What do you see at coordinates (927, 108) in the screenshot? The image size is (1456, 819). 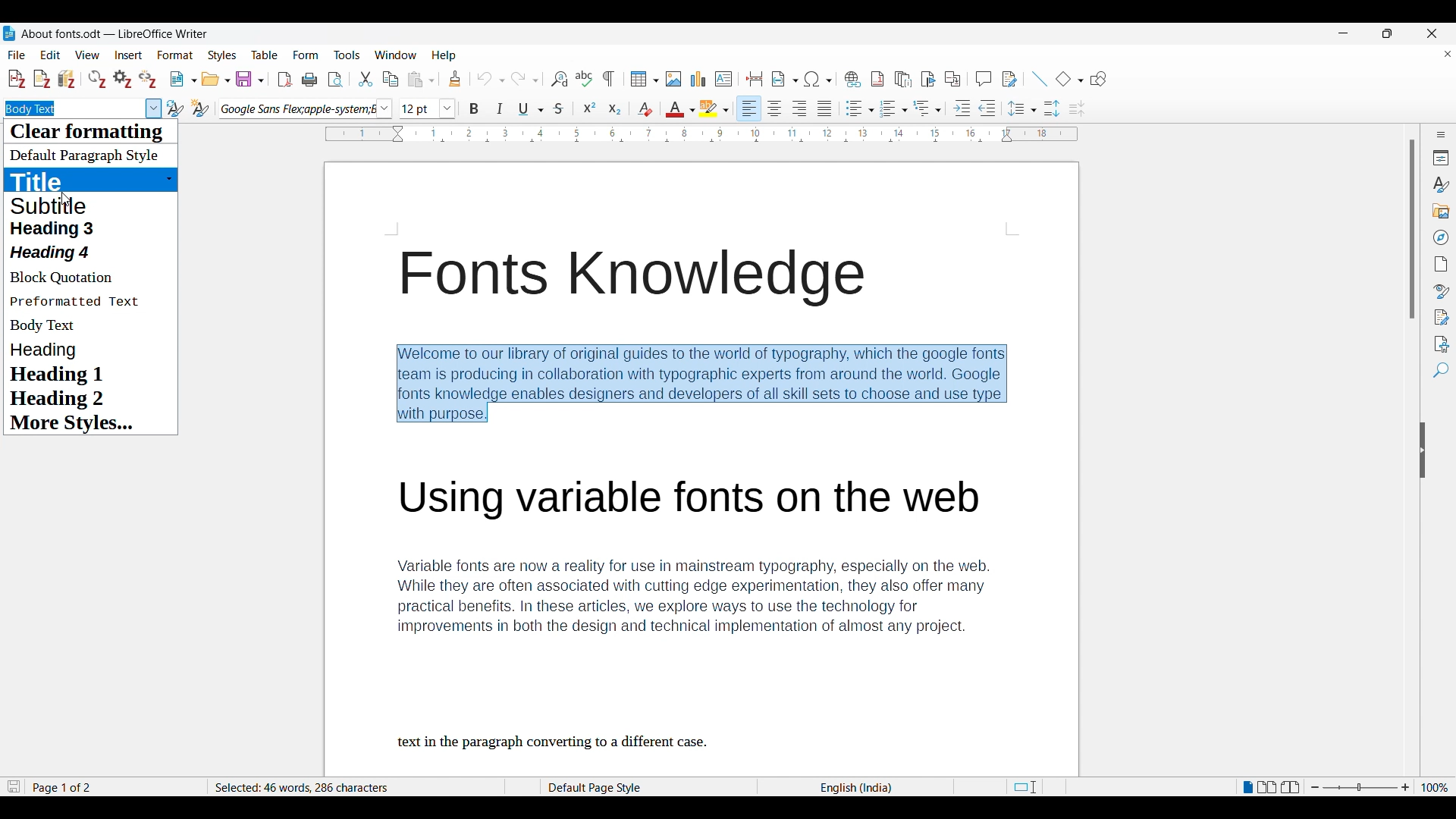 I see `Select outline format` at bounding box center [927, 108].